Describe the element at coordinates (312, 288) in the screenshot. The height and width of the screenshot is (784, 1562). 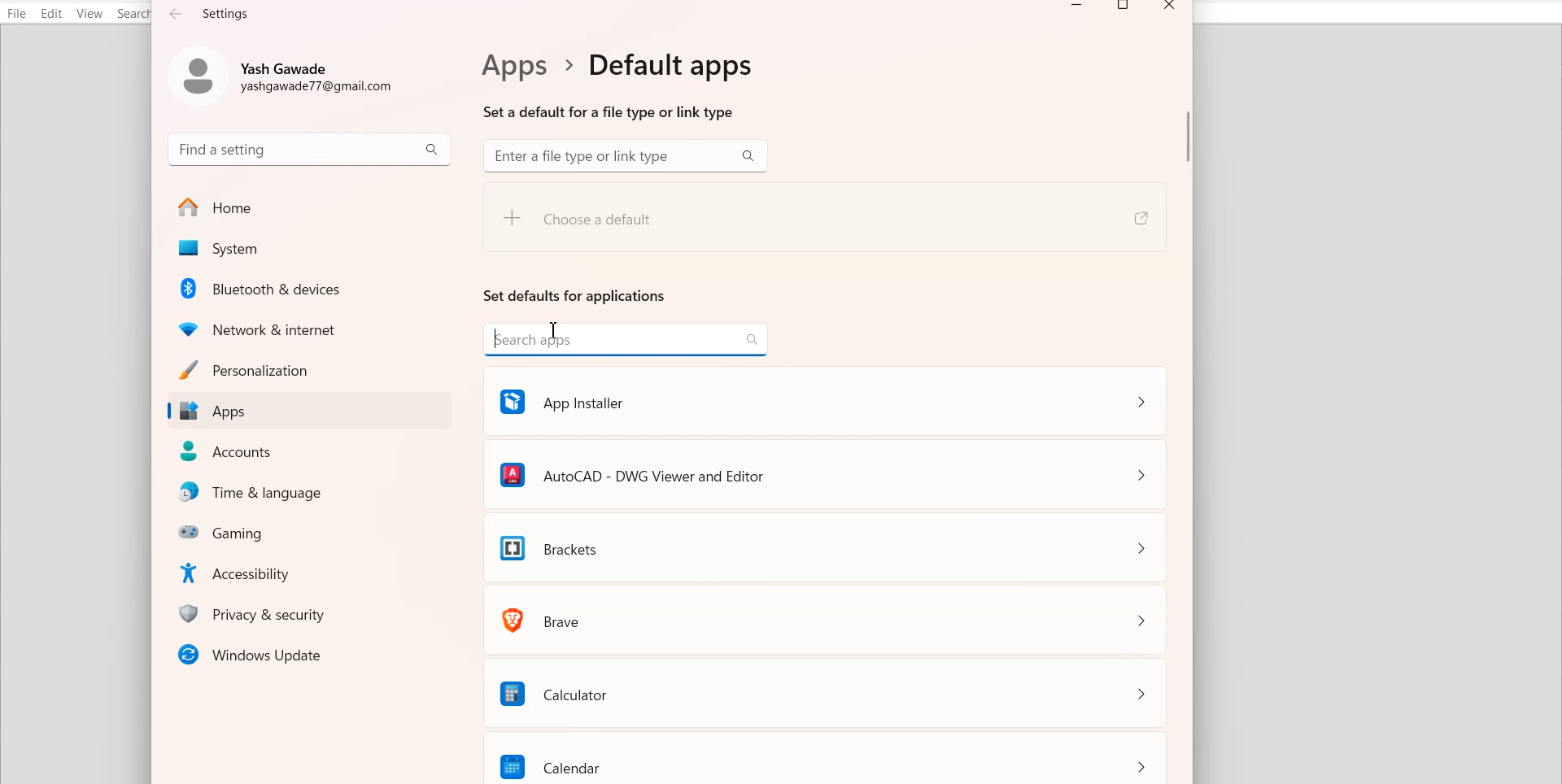
I see `Bluetooth & Devices` at that location.